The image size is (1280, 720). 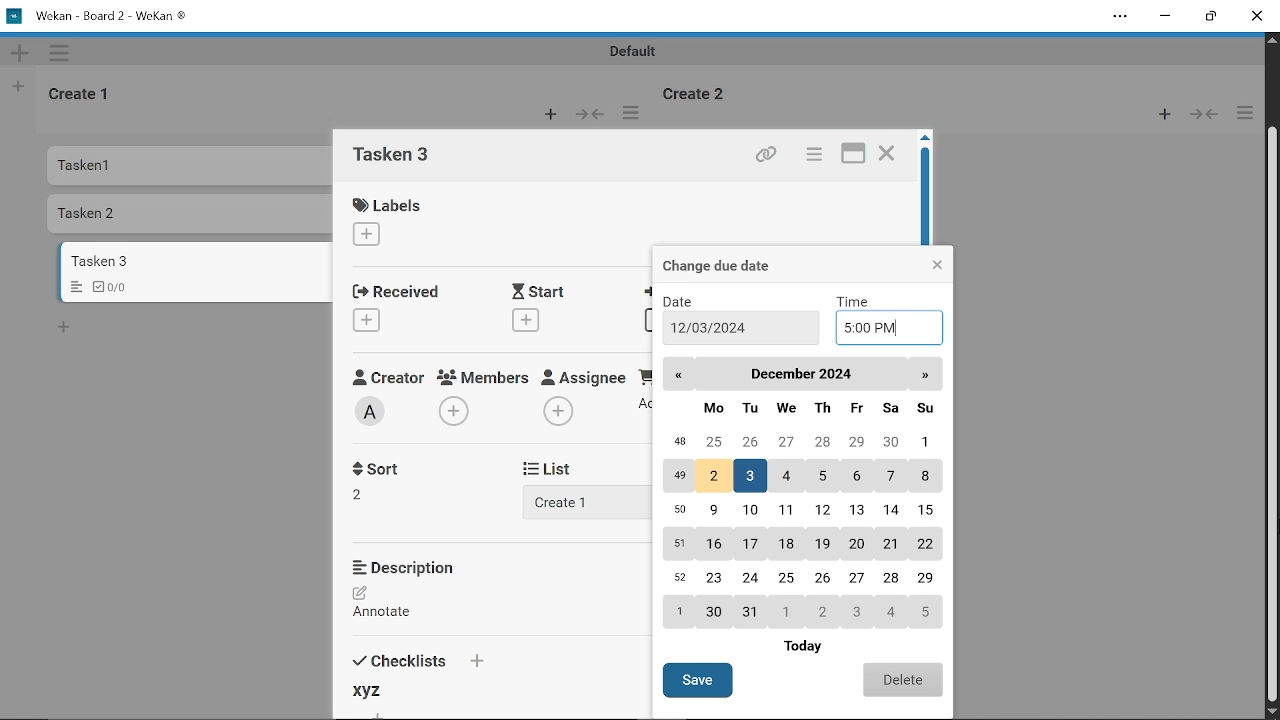 I want to click on More, so click(x=62, y=52).